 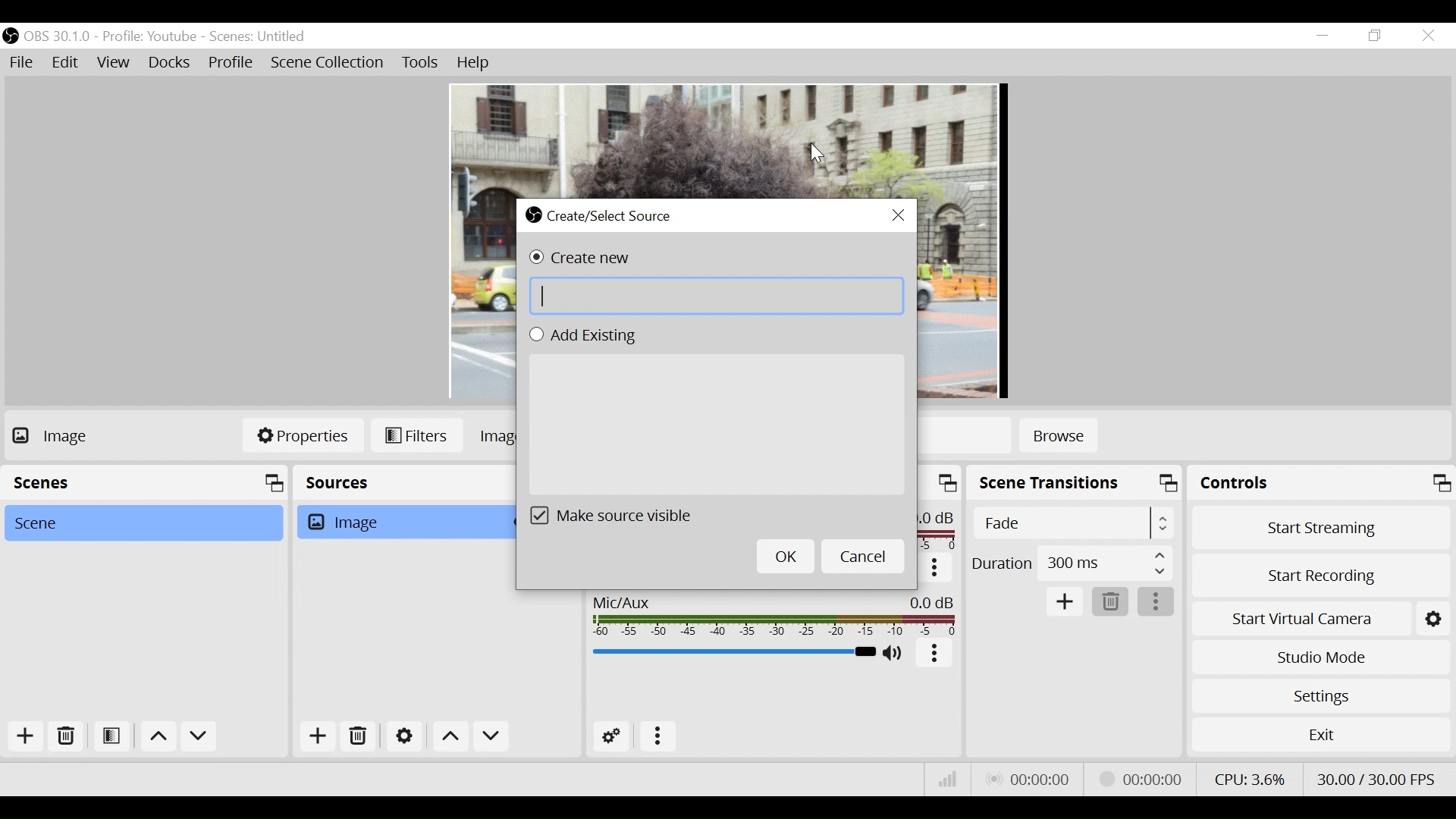 What do you see at coordinates (21, 64) in the screenshot?
I see `File` at bounding box center [21, 64].